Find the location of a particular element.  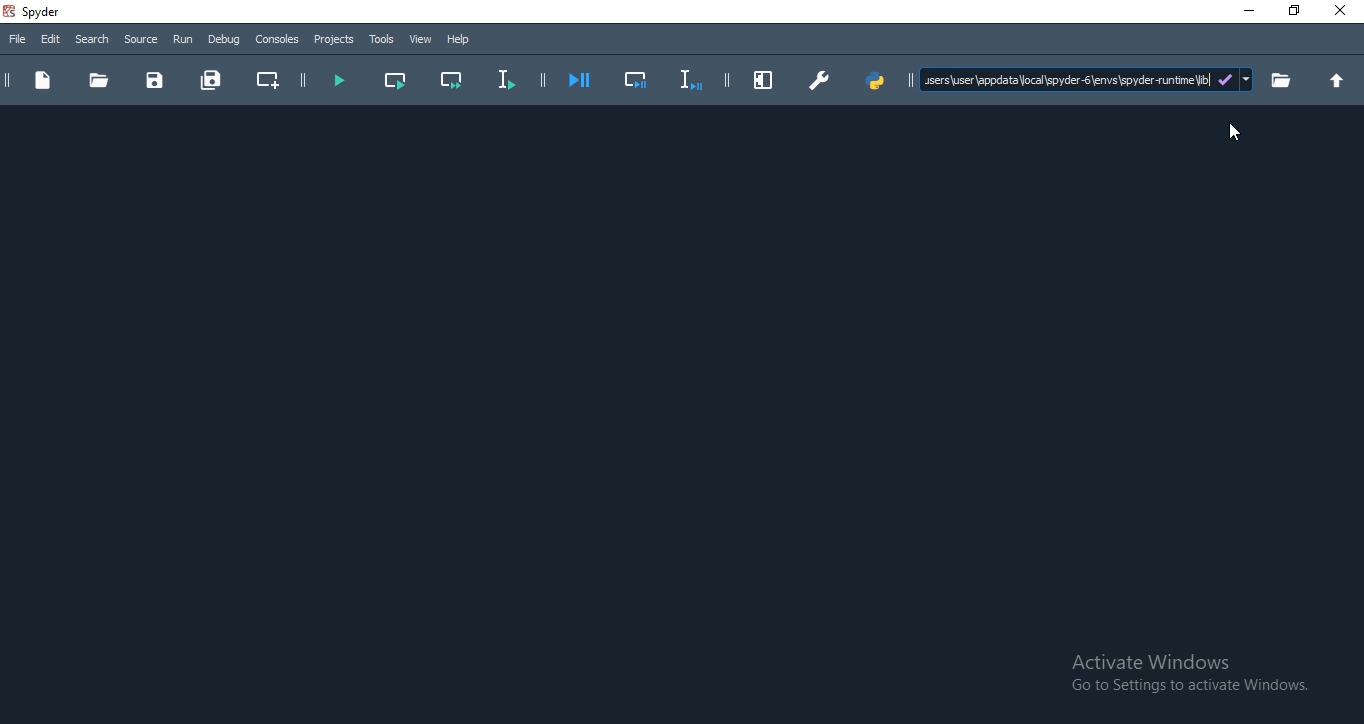

up folder is located at coordinates (1341, 81).